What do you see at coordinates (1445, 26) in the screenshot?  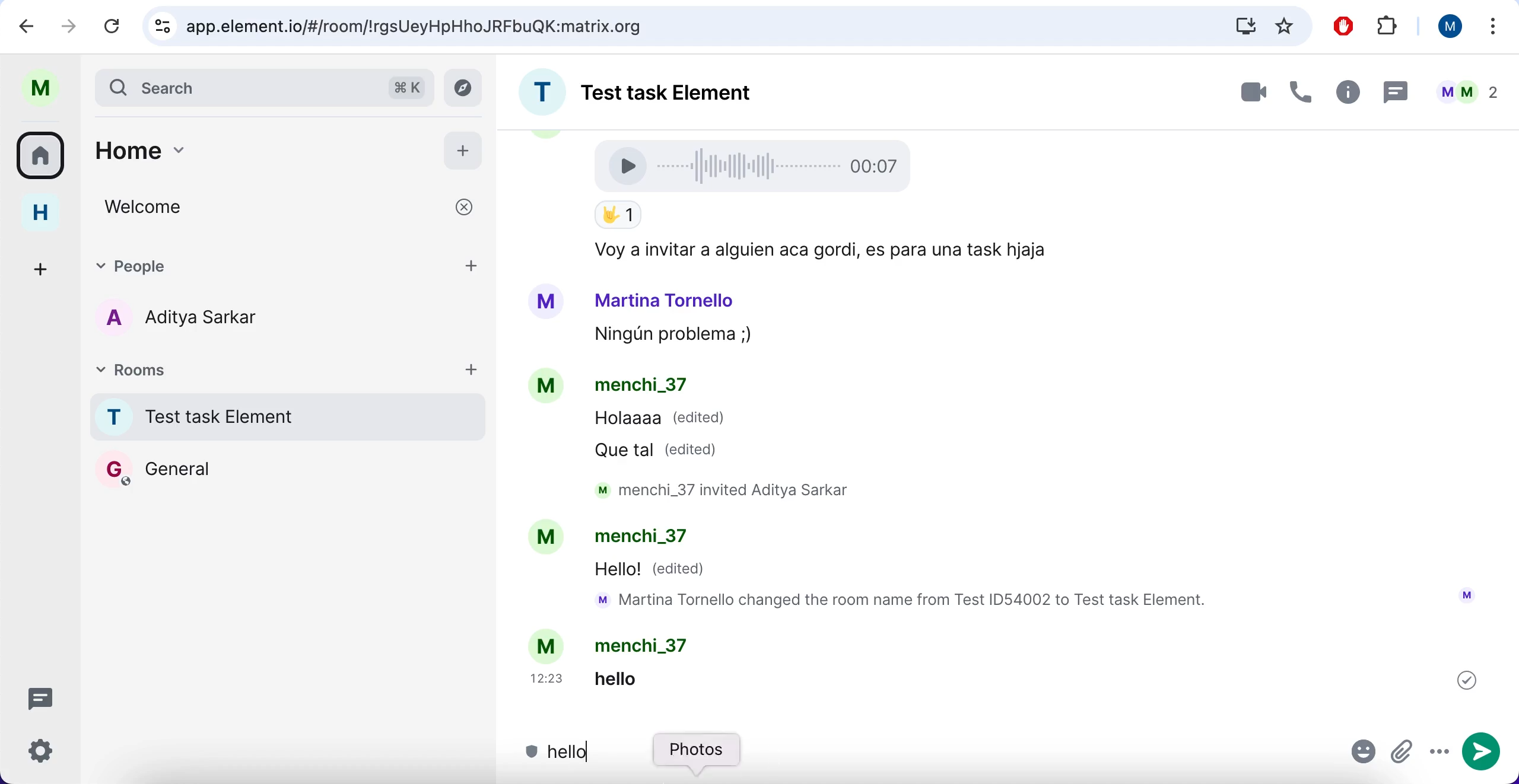 I see `user` at bounding box center [1445, 26].